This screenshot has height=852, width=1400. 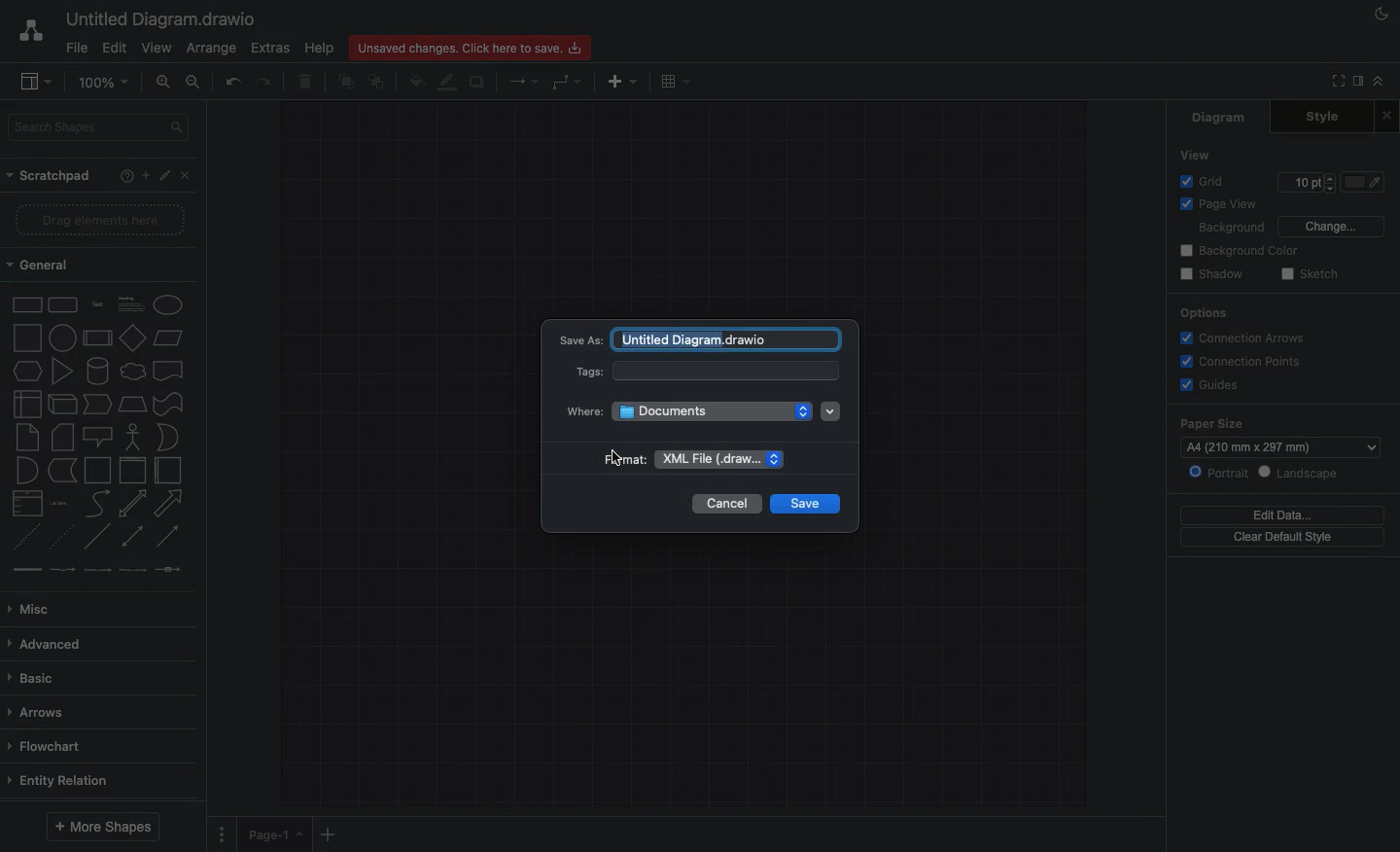 What do you see at coordinates (269, 48) in the screenshot?
I see `Extras` at bounding box center [269, 48].